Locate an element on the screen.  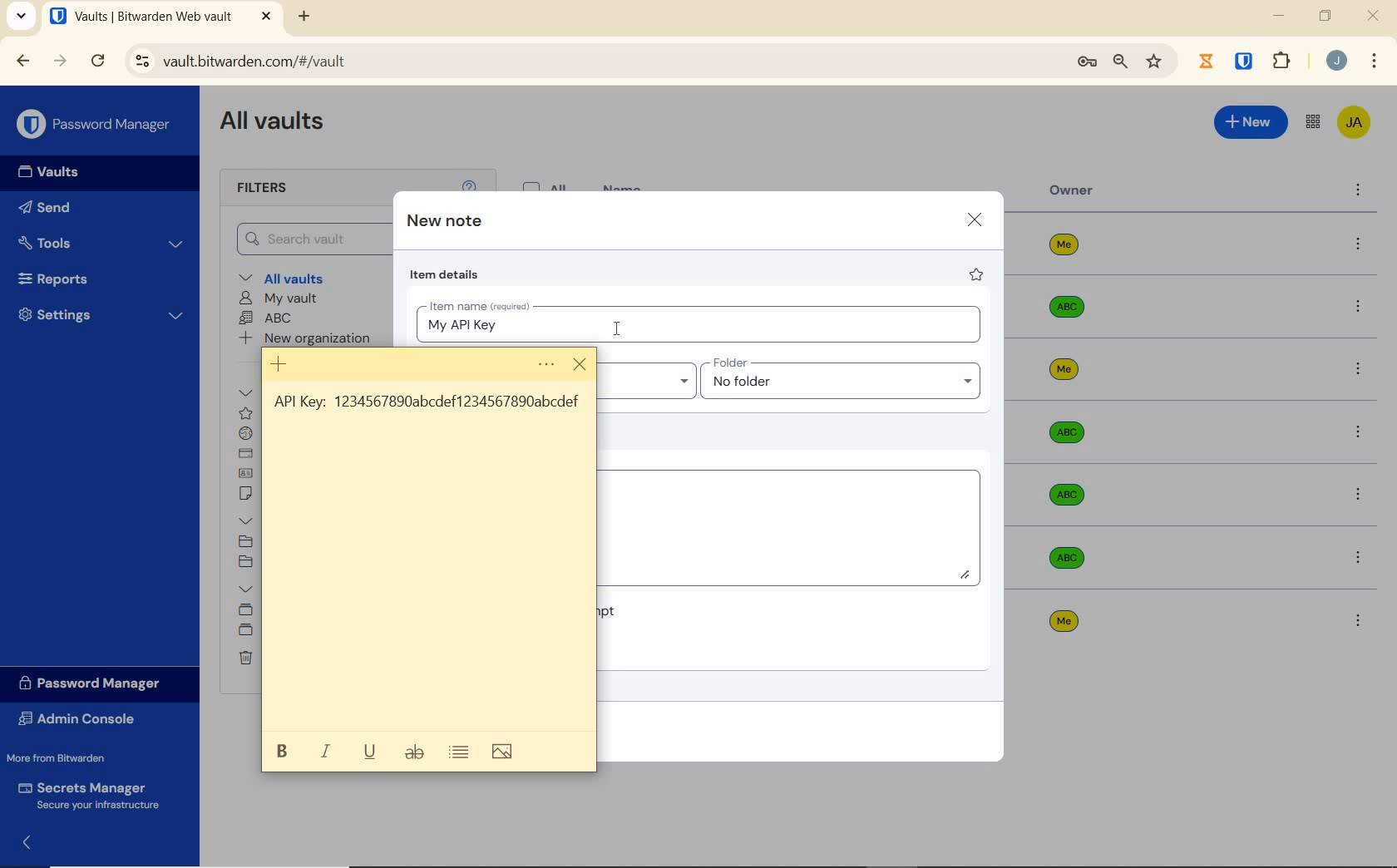
Send is located at coordinates (76, 210).